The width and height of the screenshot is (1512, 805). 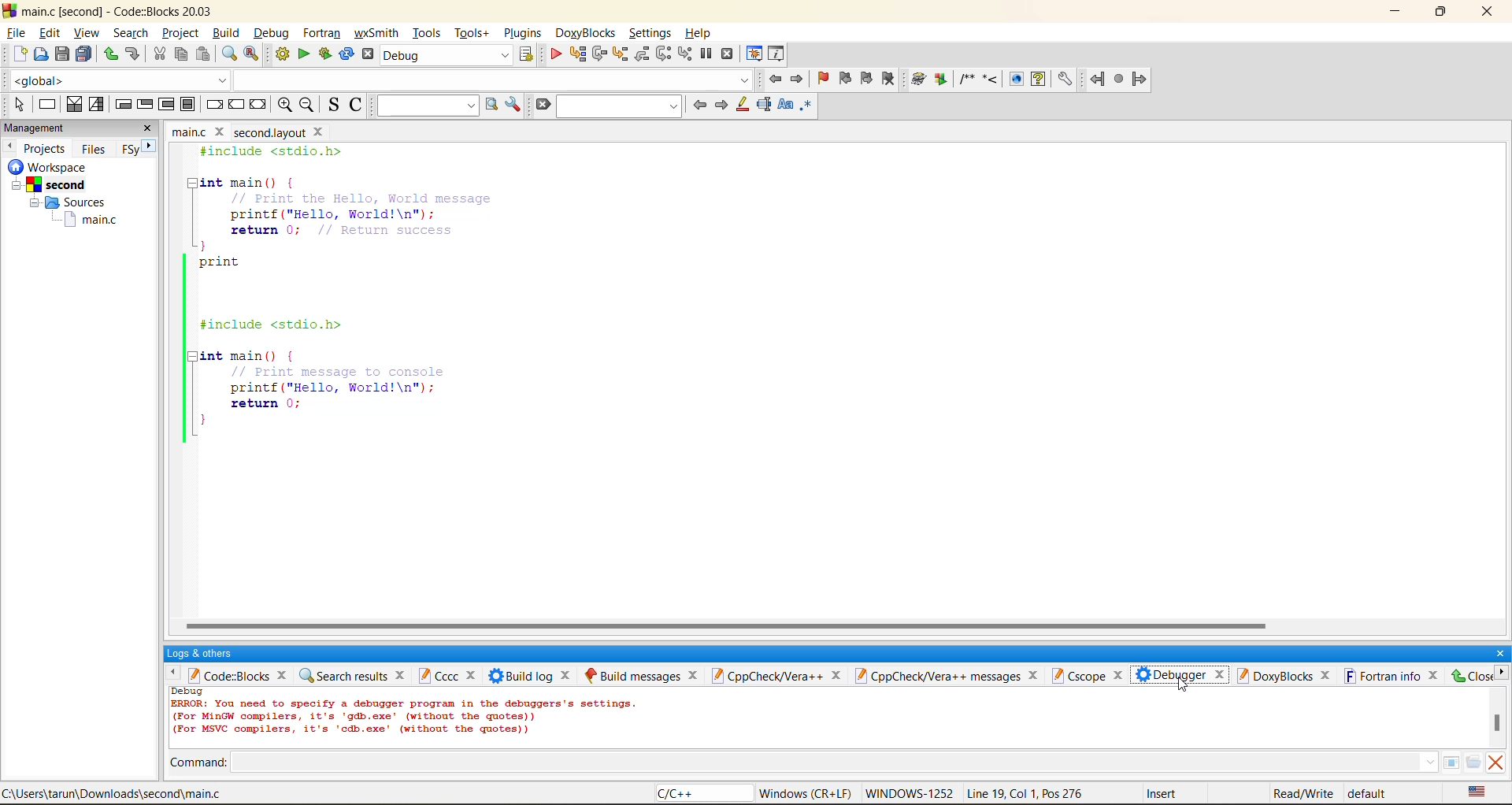 What do you see at coordinates (95, 106) in the screenshot?
I see `selection` at bounding box center [95, 106].